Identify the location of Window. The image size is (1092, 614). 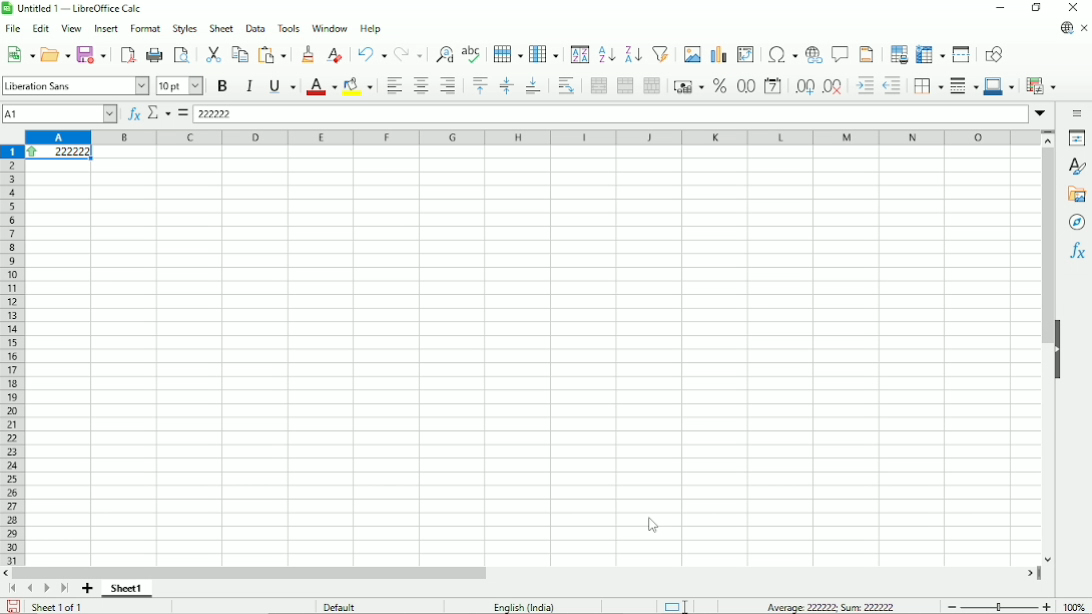
(329, 28).